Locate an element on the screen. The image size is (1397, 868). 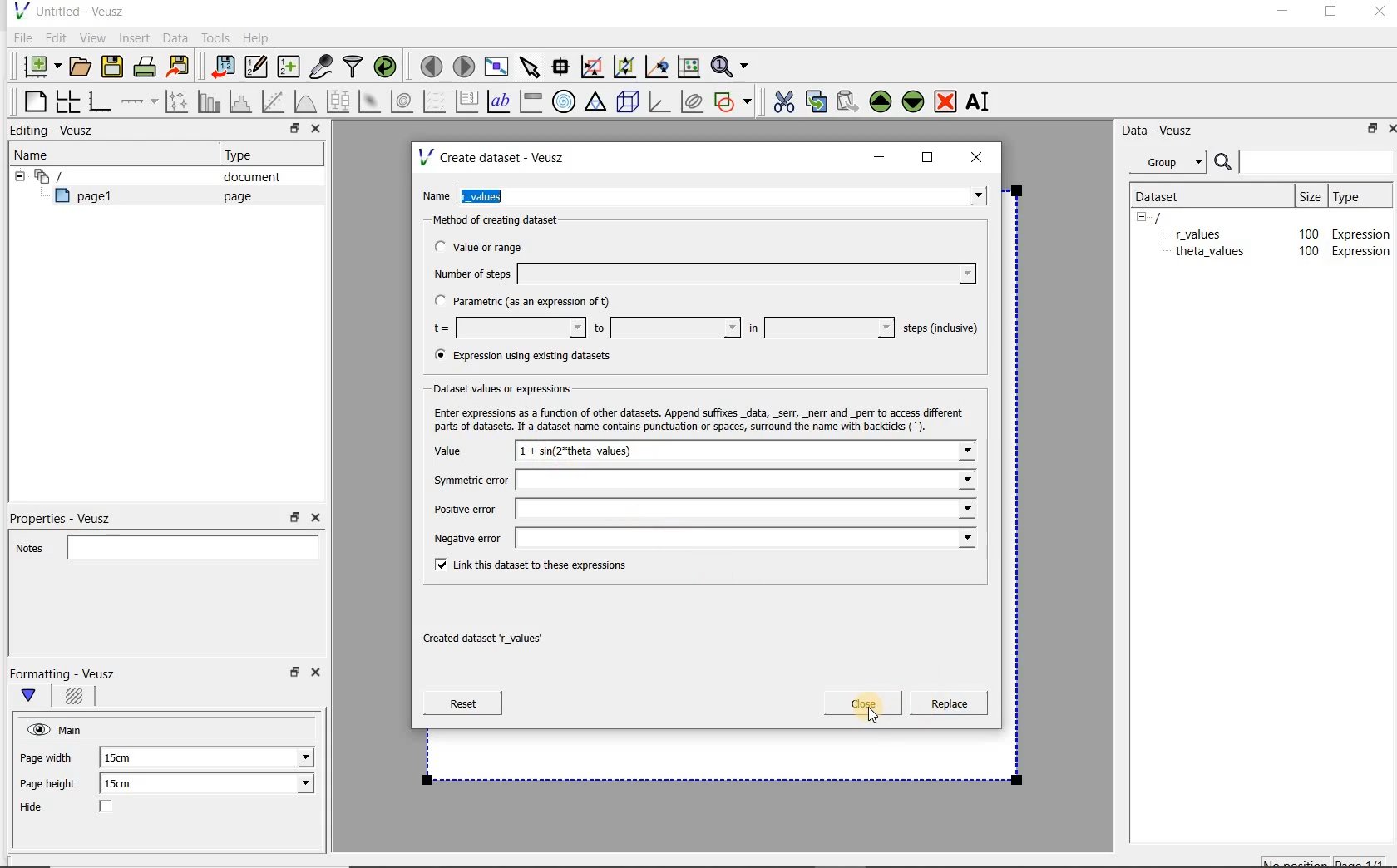
plot box plots is located at coordinates (338, 102).